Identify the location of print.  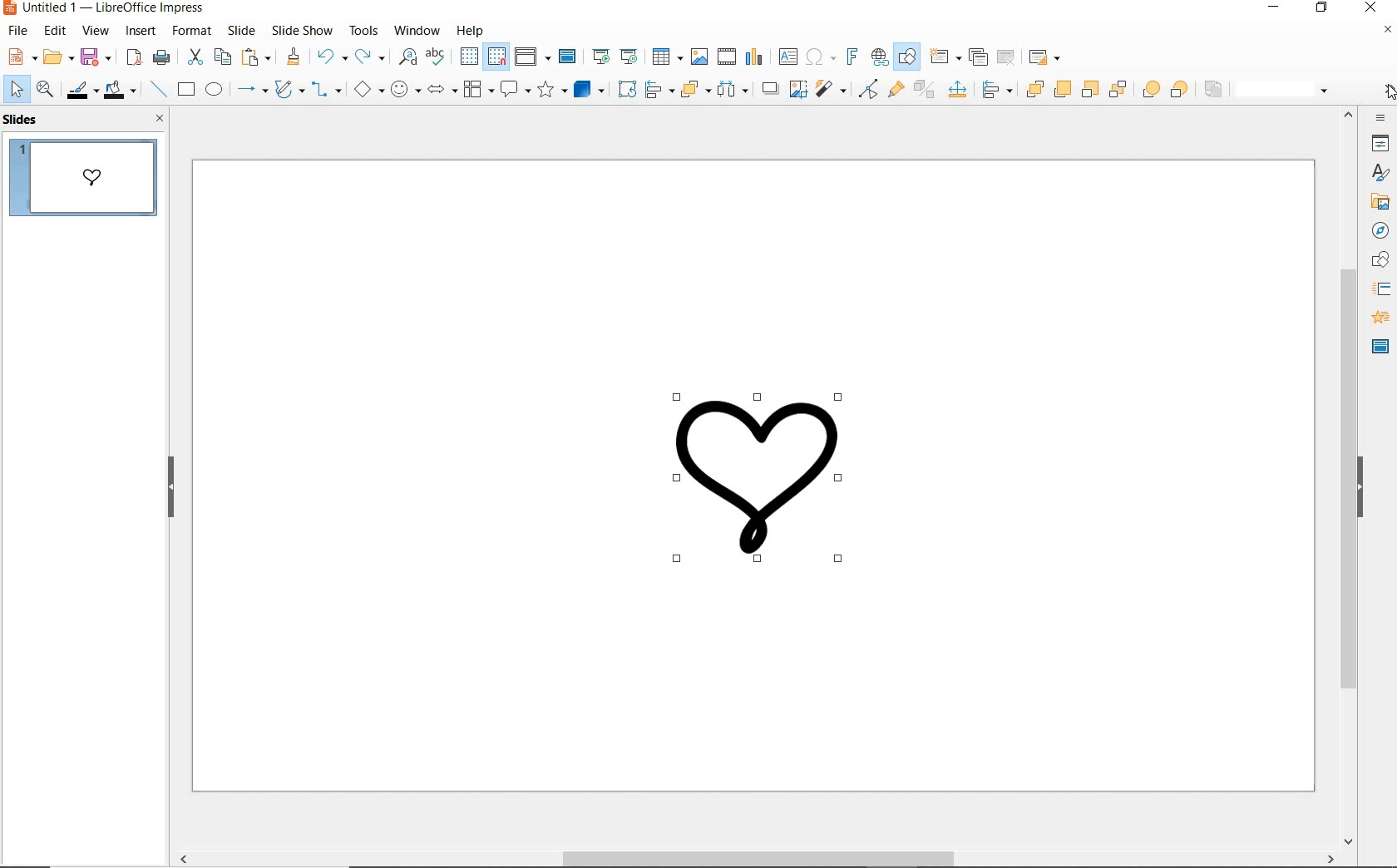
(161, 57).